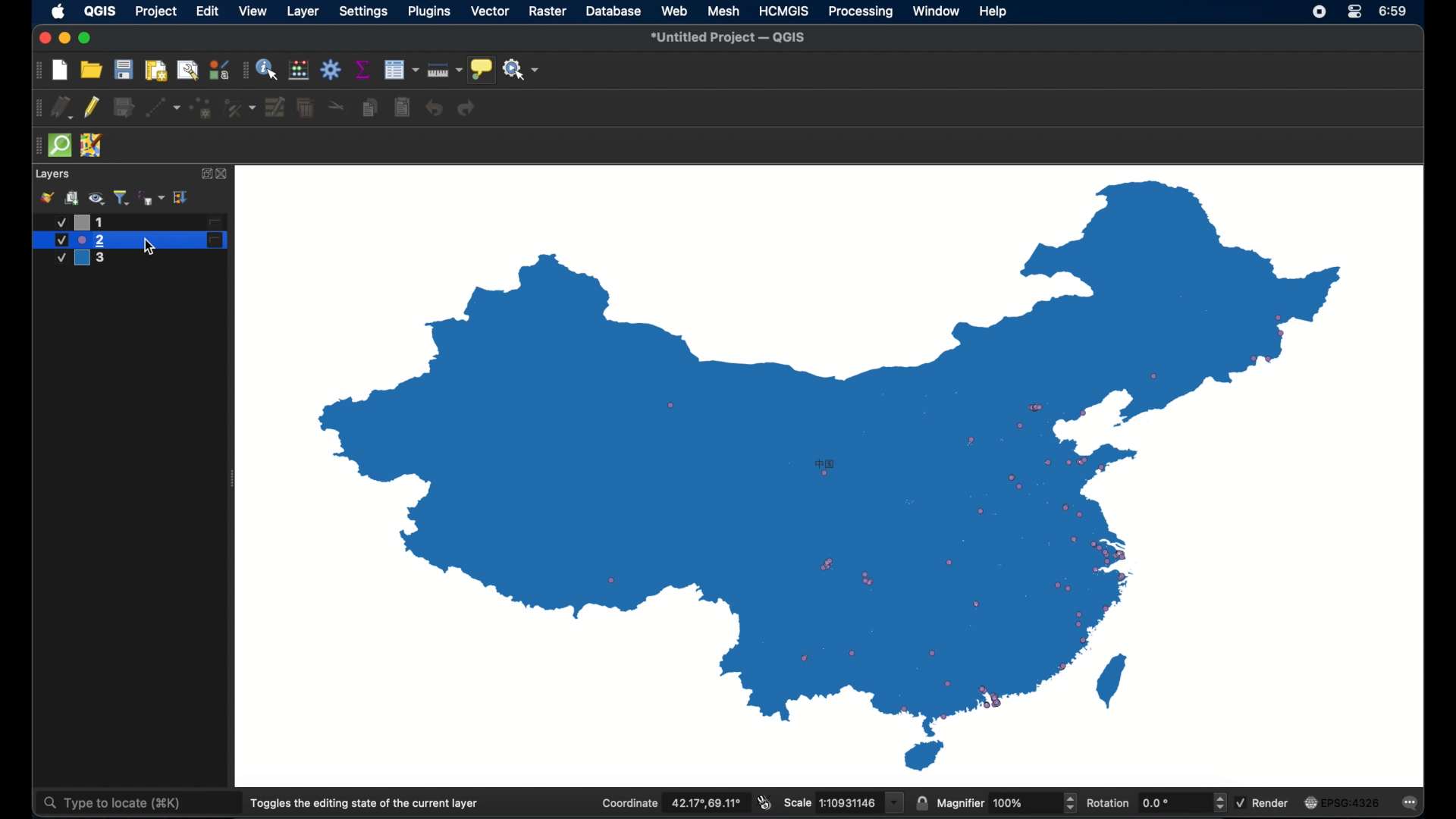  What do you see at coordinates (86, 39) in the screenshot?
I see `maximize ` at bounding box center [86, 39].